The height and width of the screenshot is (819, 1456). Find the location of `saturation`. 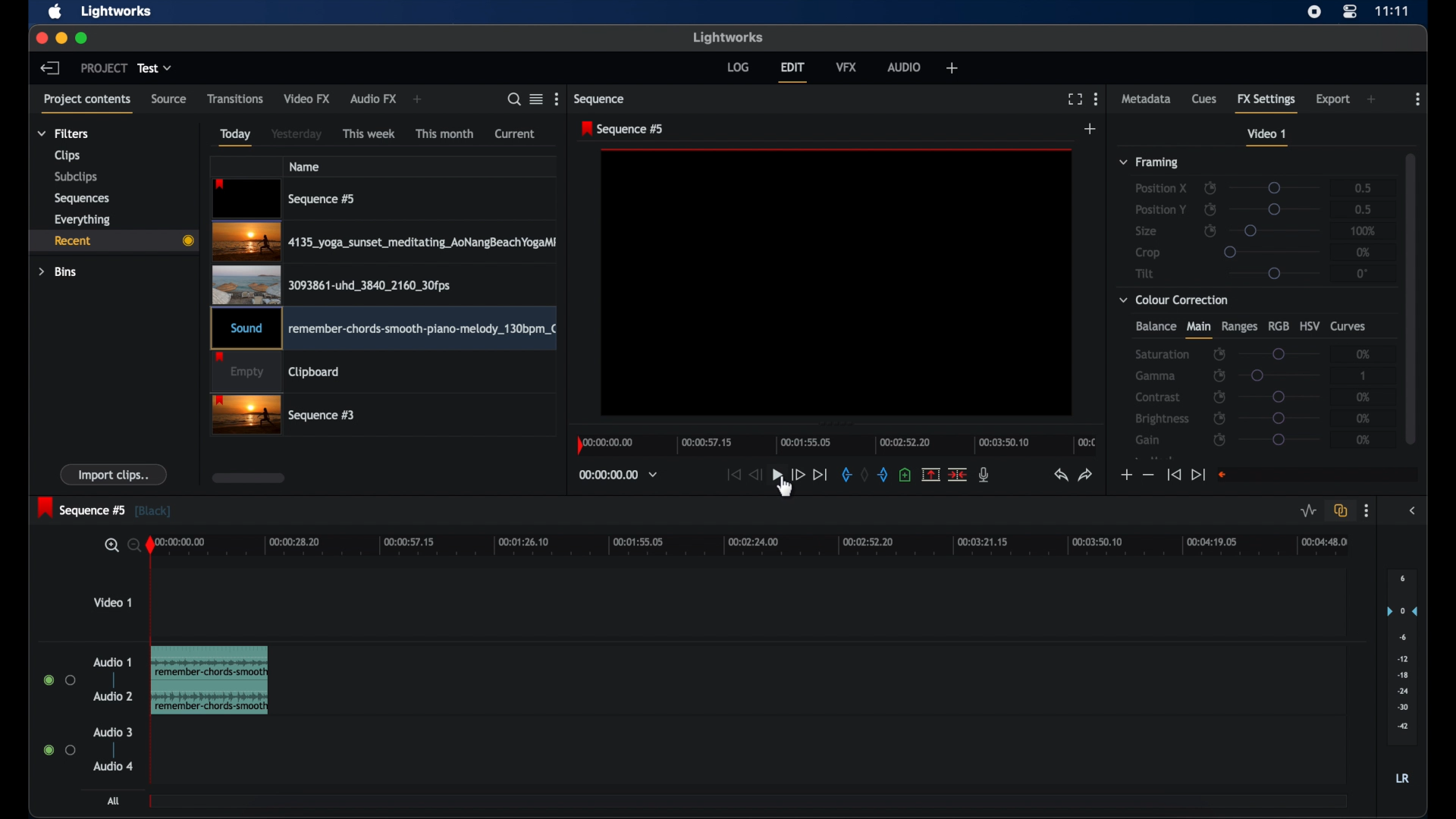

saturation is located at coordinates (1162, 354).